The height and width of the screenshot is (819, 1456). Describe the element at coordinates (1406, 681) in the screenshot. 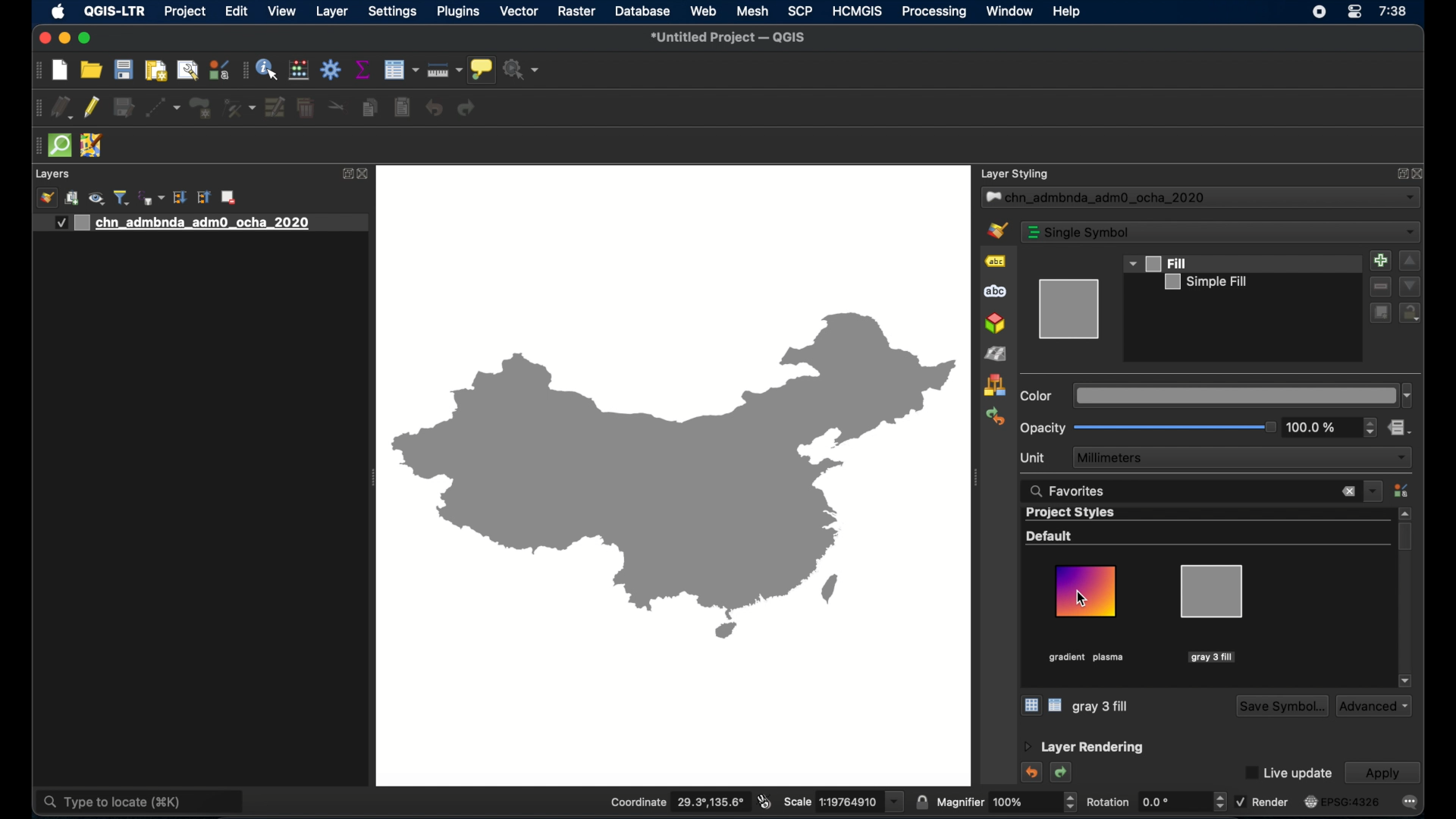

I see `scroll down arrow` at that location.